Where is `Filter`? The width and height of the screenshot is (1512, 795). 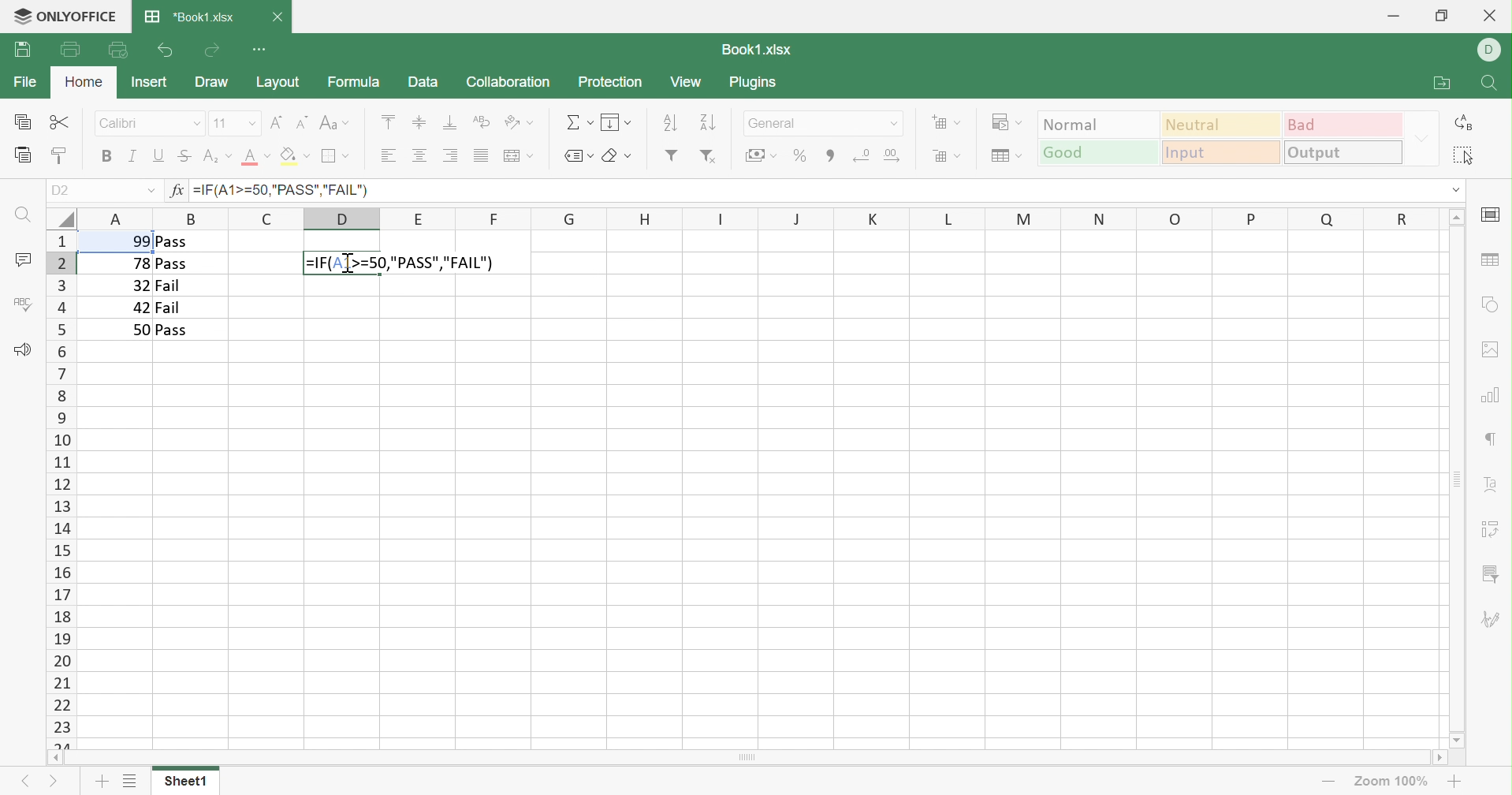 Filter is located at coordinates (671, 155).